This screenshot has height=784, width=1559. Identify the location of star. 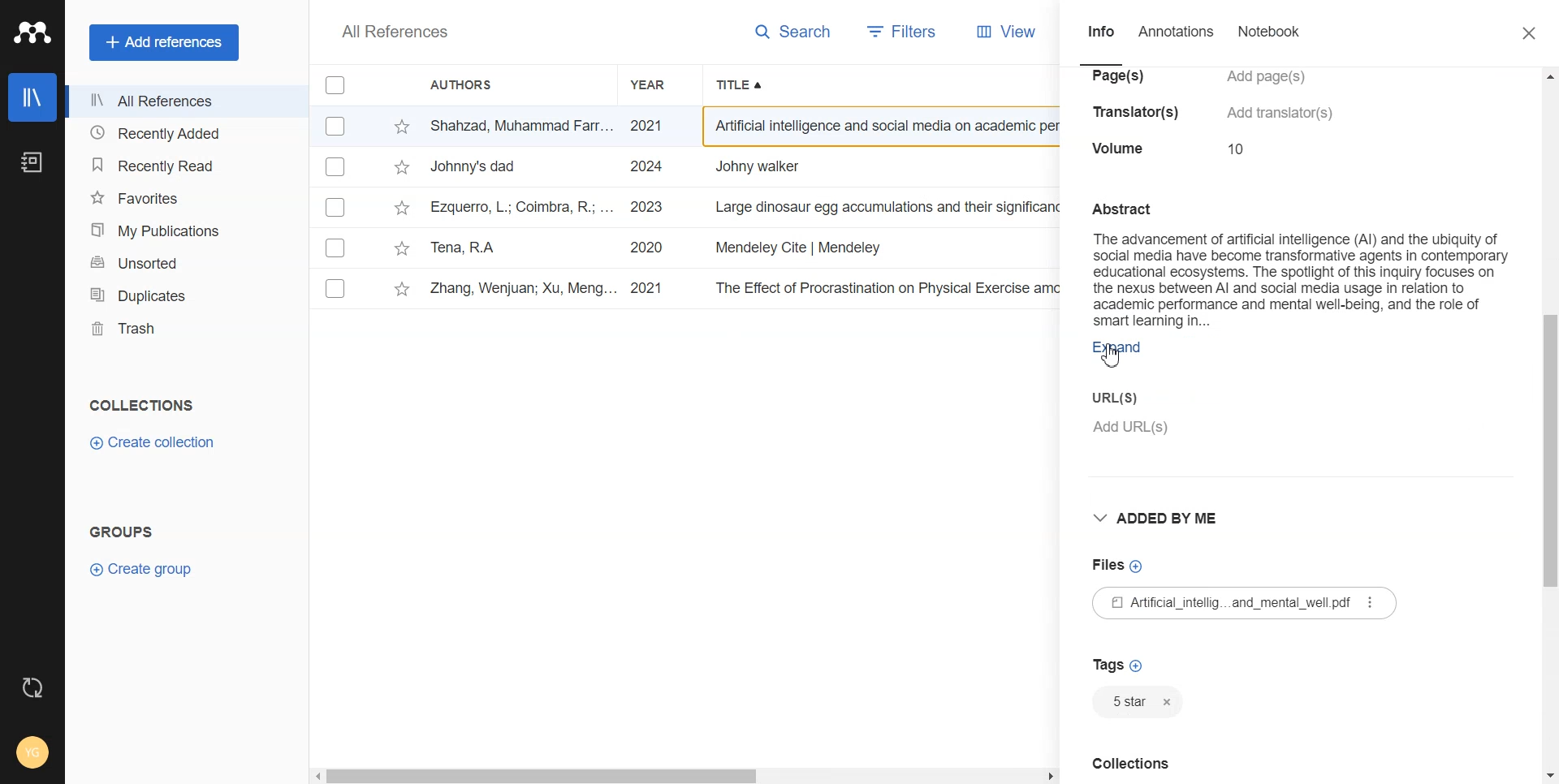
(403, 289).